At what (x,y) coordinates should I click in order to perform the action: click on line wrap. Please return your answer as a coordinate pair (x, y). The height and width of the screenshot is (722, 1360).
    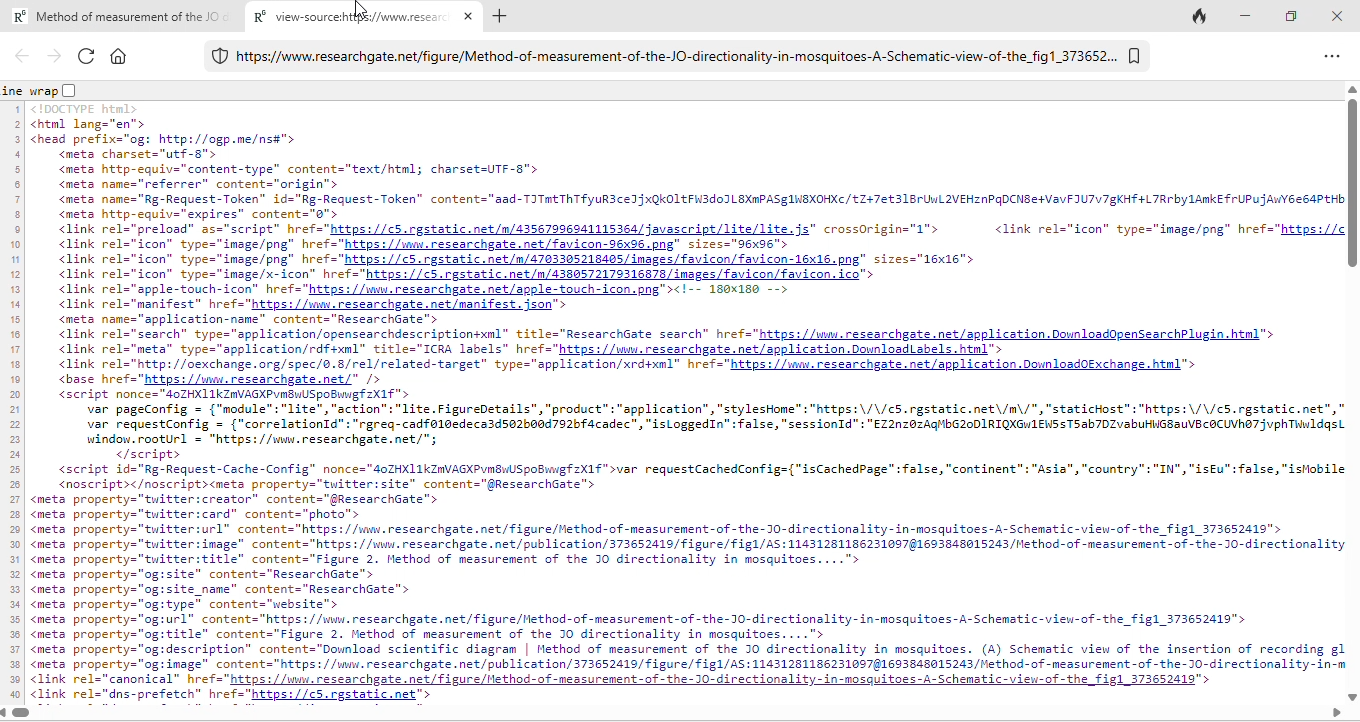
    Looking at the image, I should click on (42, 89).